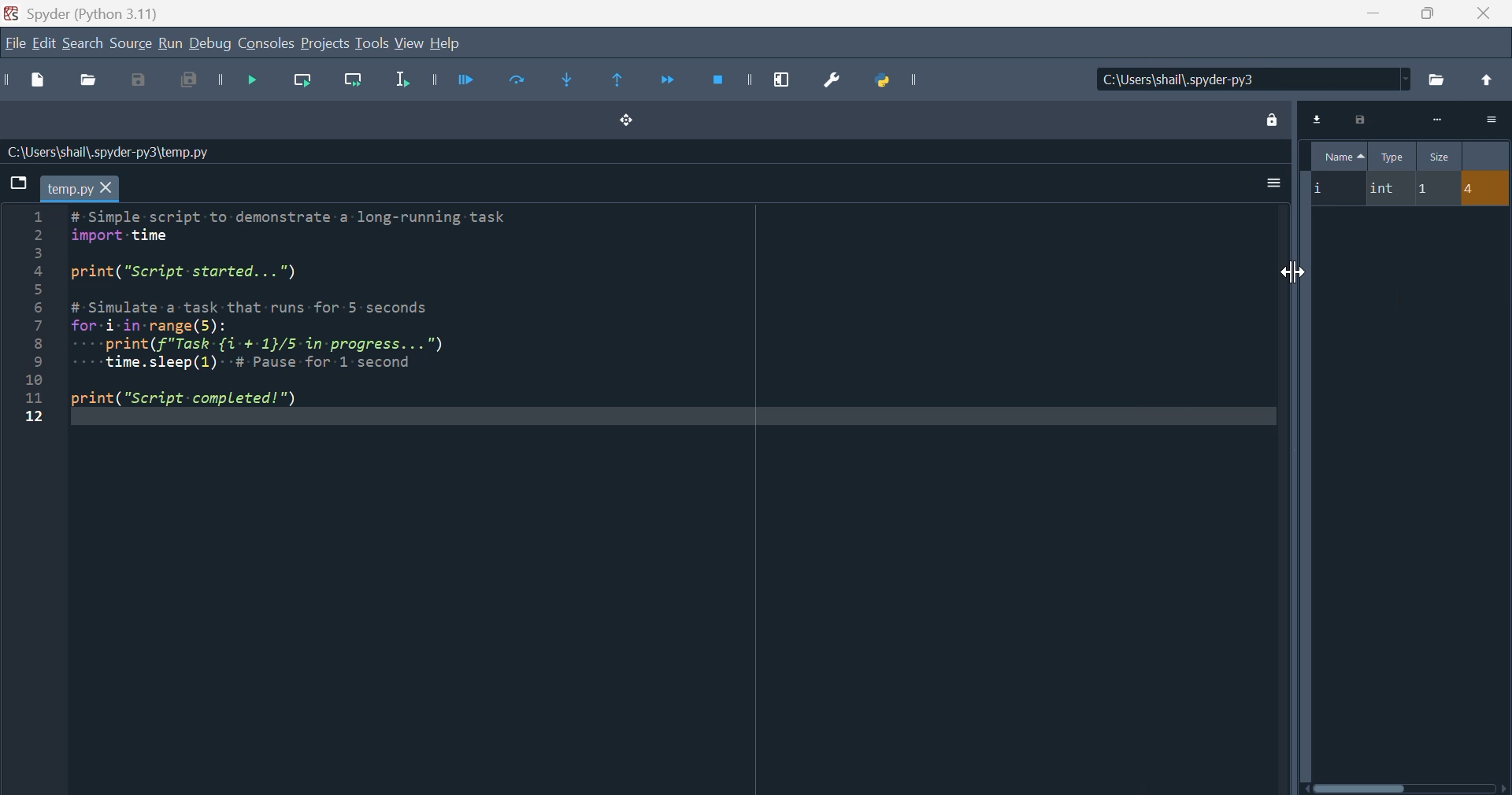  I want to click on save data, so click(1360, 121).